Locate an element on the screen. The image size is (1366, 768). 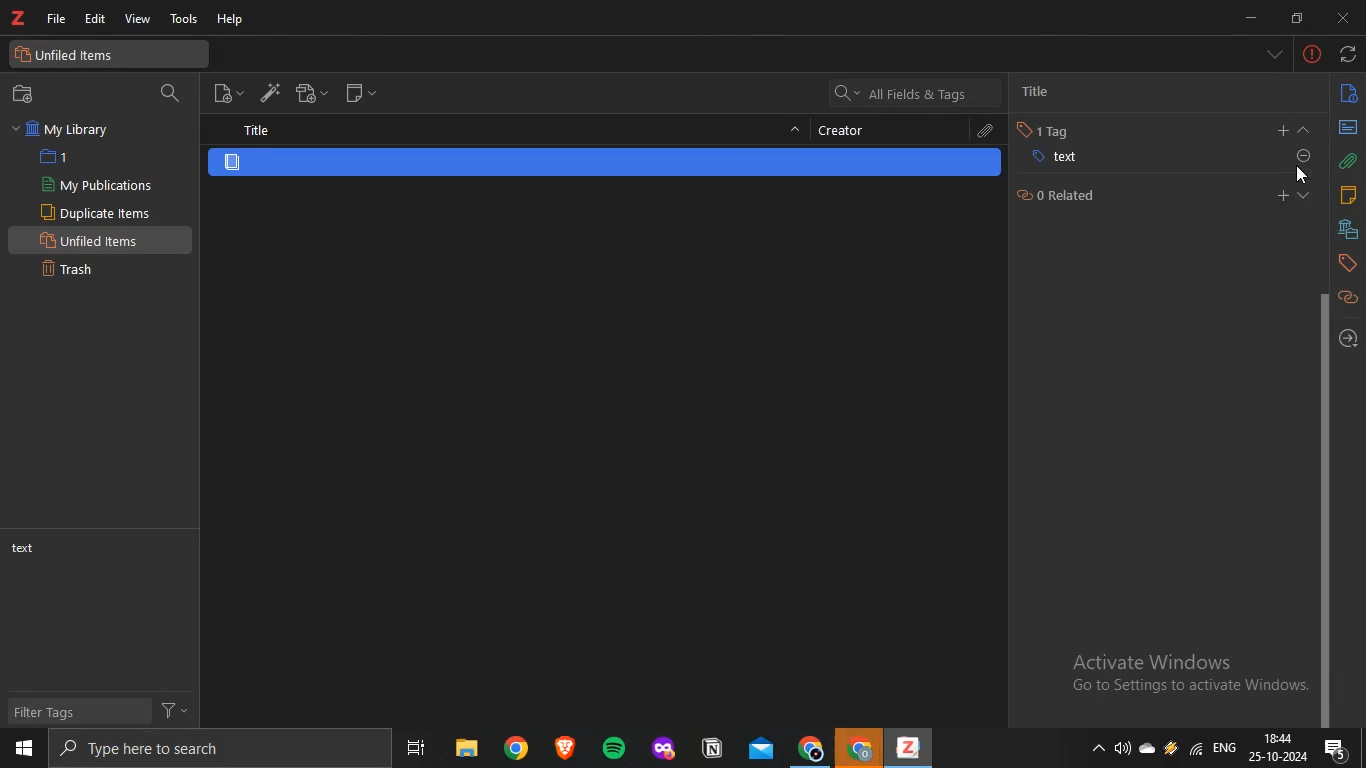
add is located at coordinates (1283, 130).